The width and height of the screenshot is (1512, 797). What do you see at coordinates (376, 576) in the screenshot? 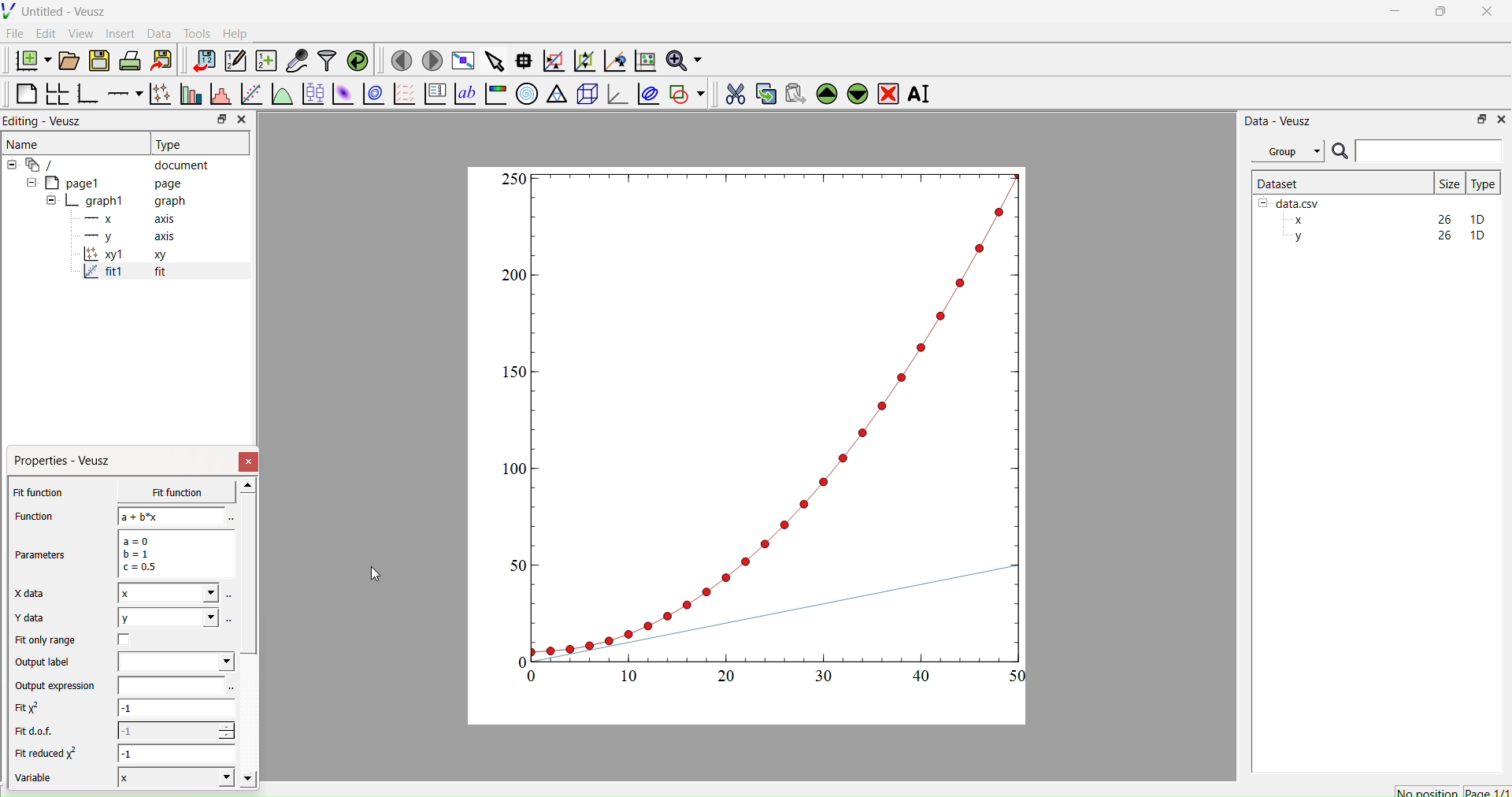
I see `Cursor` at bounding box center [376, 576].